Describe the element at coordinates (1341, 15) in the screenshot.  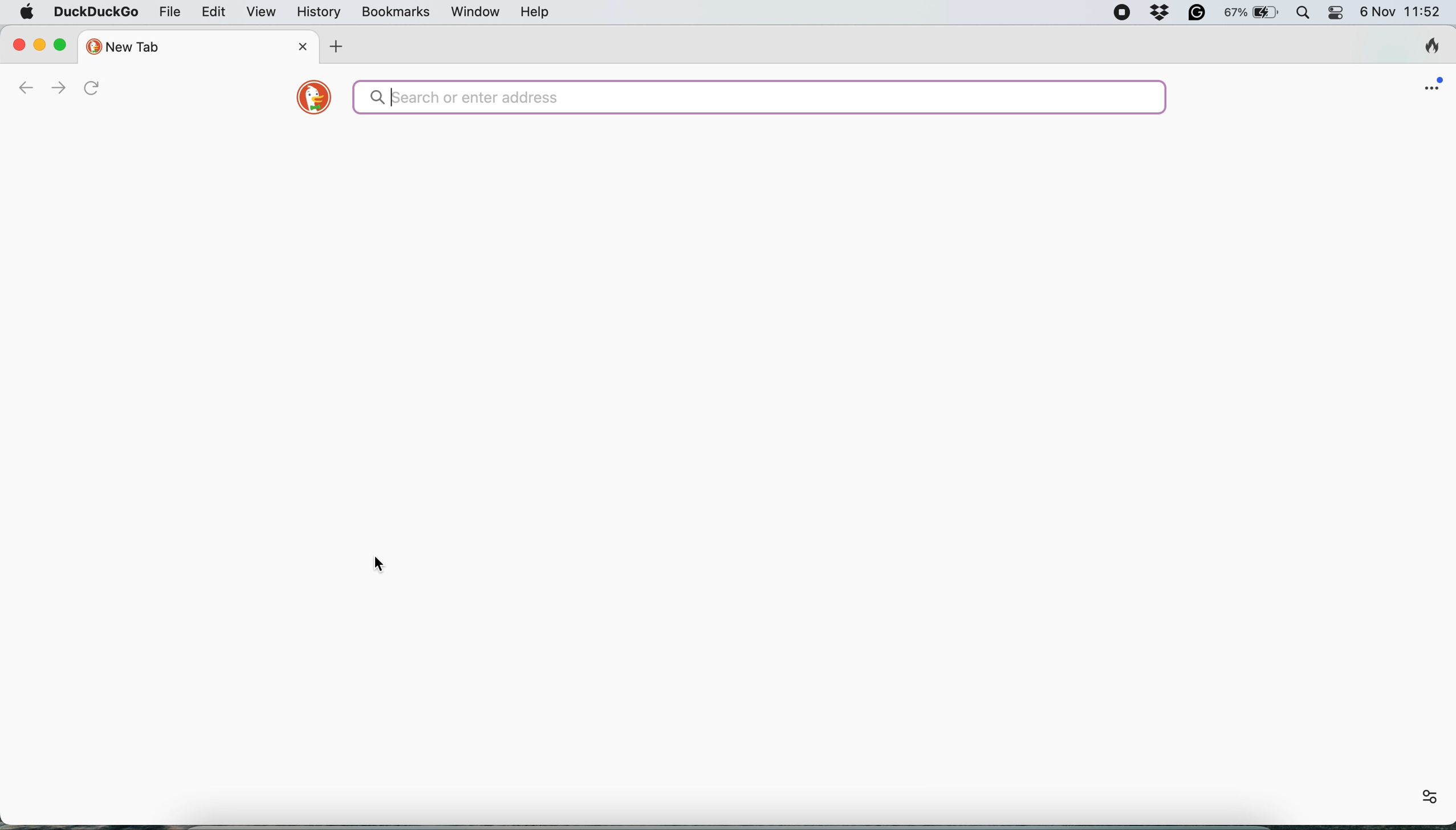
I see `control center` at that location.